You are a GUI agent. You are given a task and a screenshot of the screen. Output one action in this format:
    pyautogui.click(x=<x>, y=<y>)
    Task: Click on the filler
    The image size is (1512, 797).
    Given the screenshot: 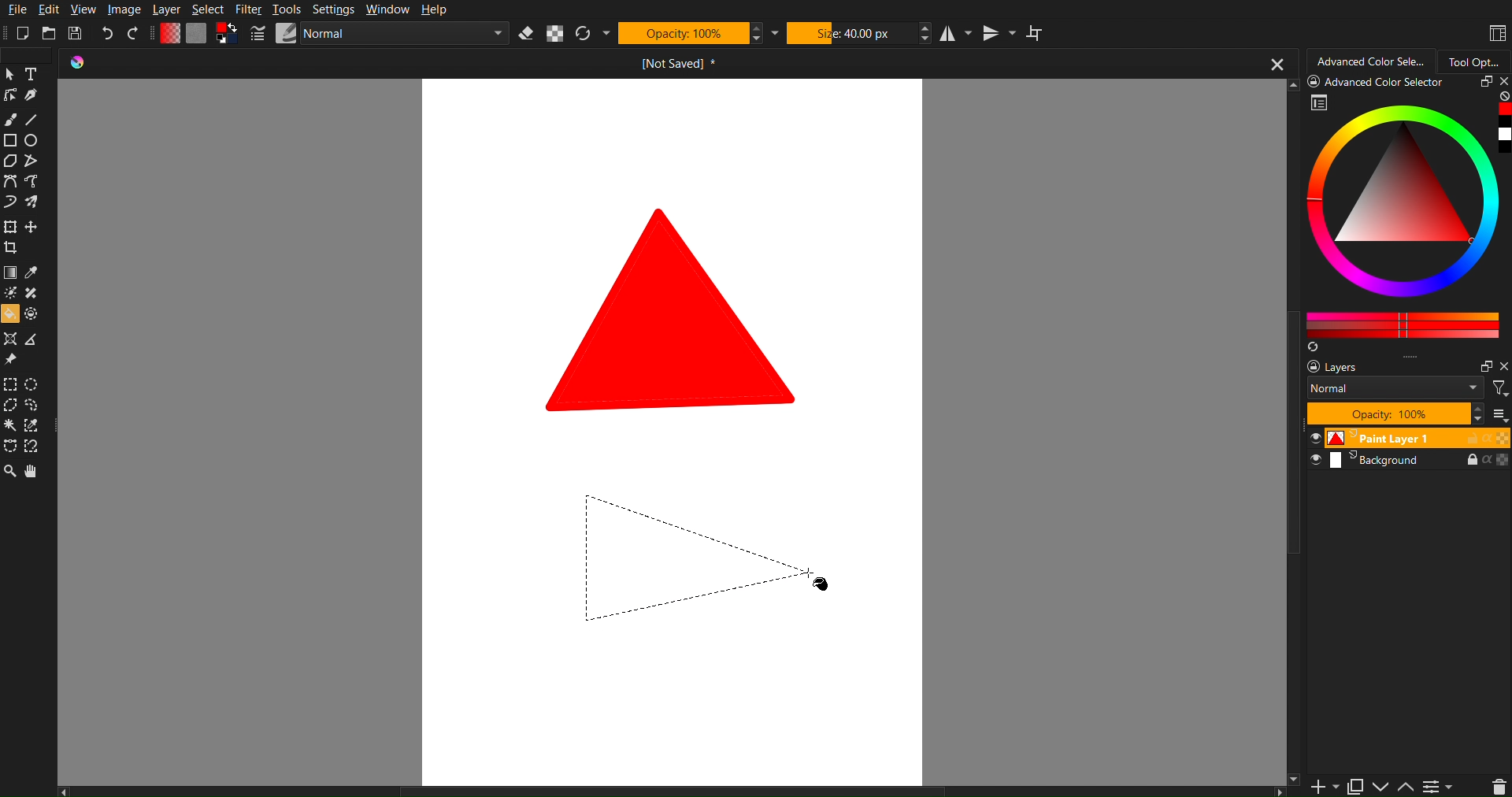 What is the action you would take?
    pyautogui.click(x=9, y=316)
    